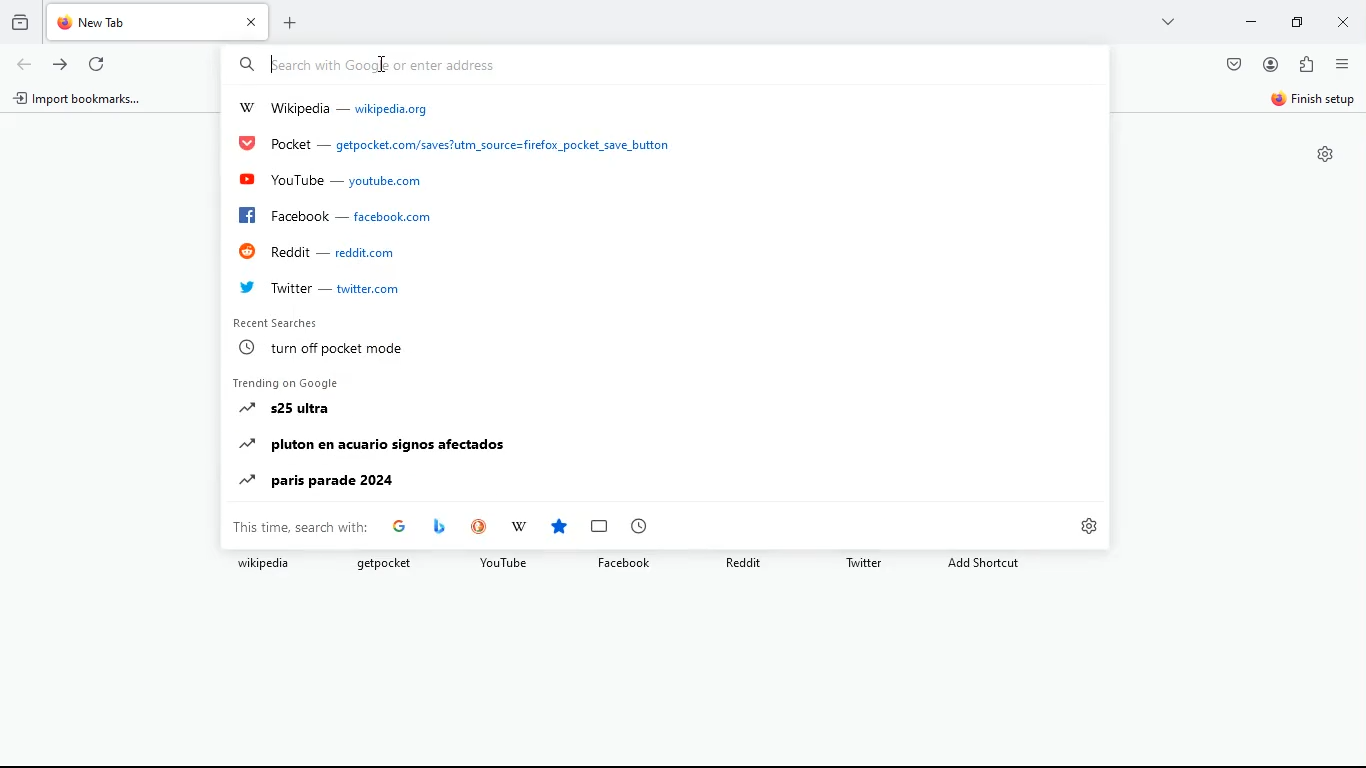 The image size is (1366, 768). I want to click on profile, so click(1272, 65).